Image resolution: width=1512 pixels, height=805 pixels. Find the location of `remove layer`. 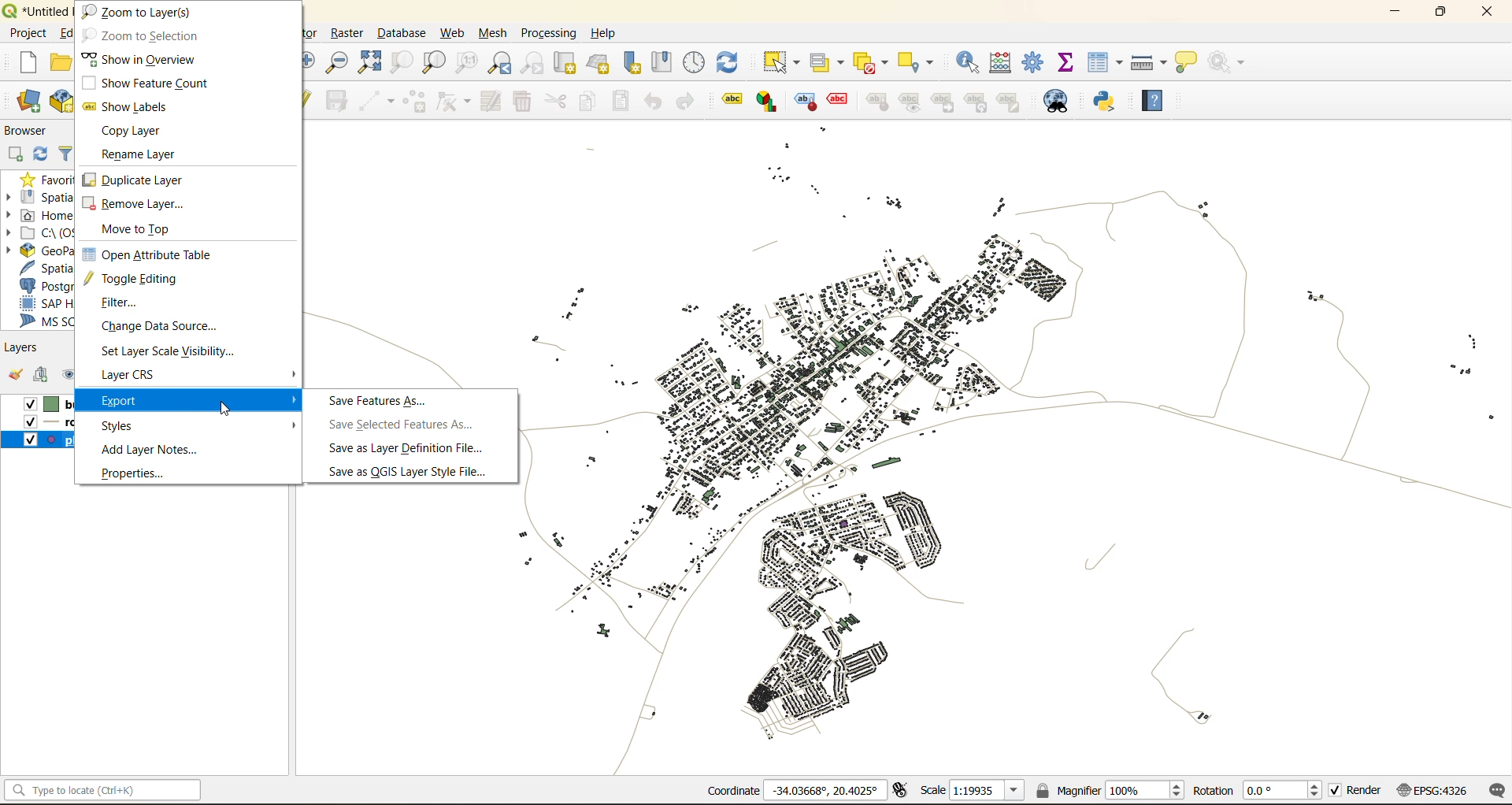

remove layer is located at coordinates (134, 206).